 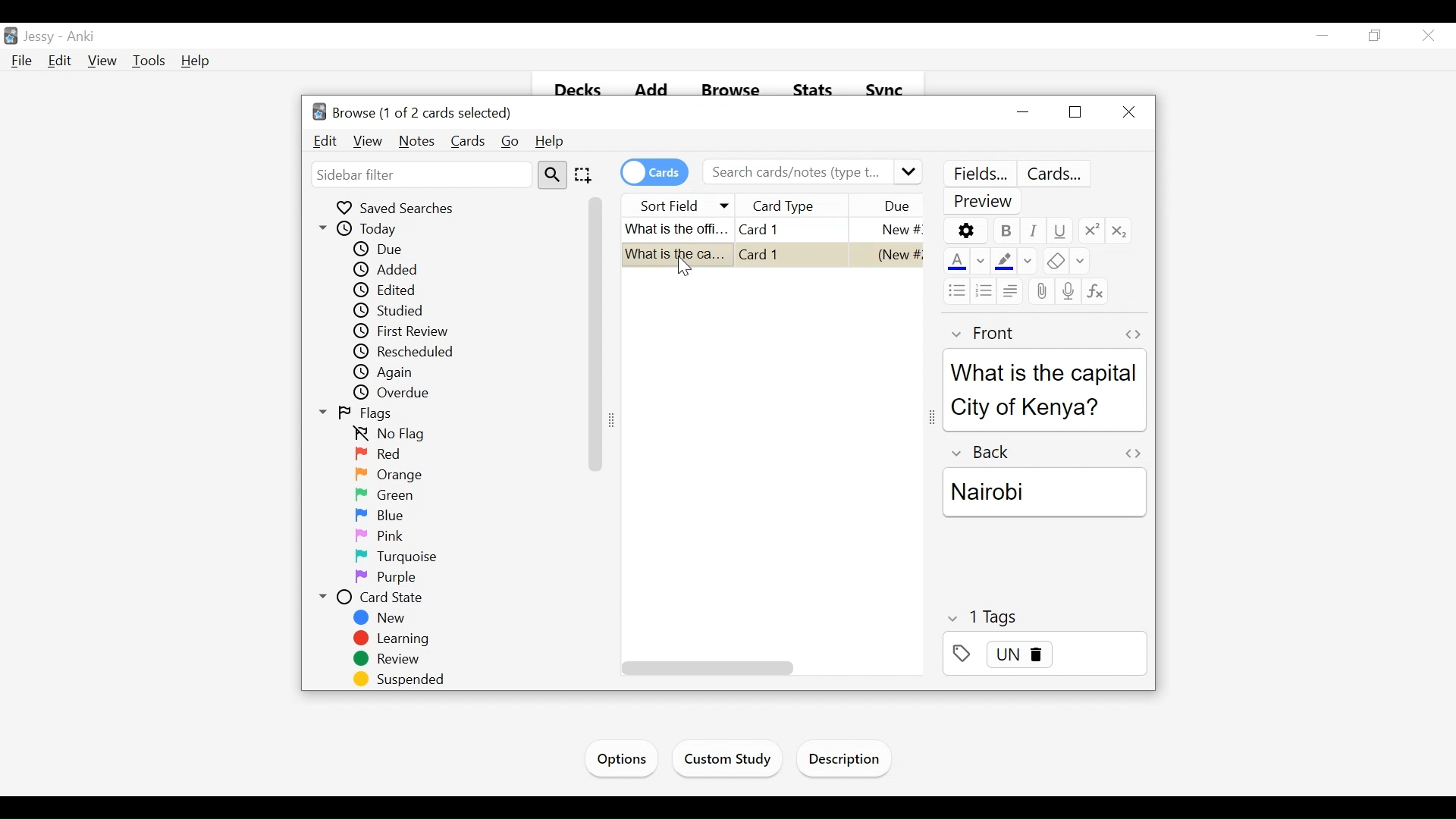 What do you see at coordinates (965, 231) in the screenshot?
I see `options` at bounding box center [965, 231].